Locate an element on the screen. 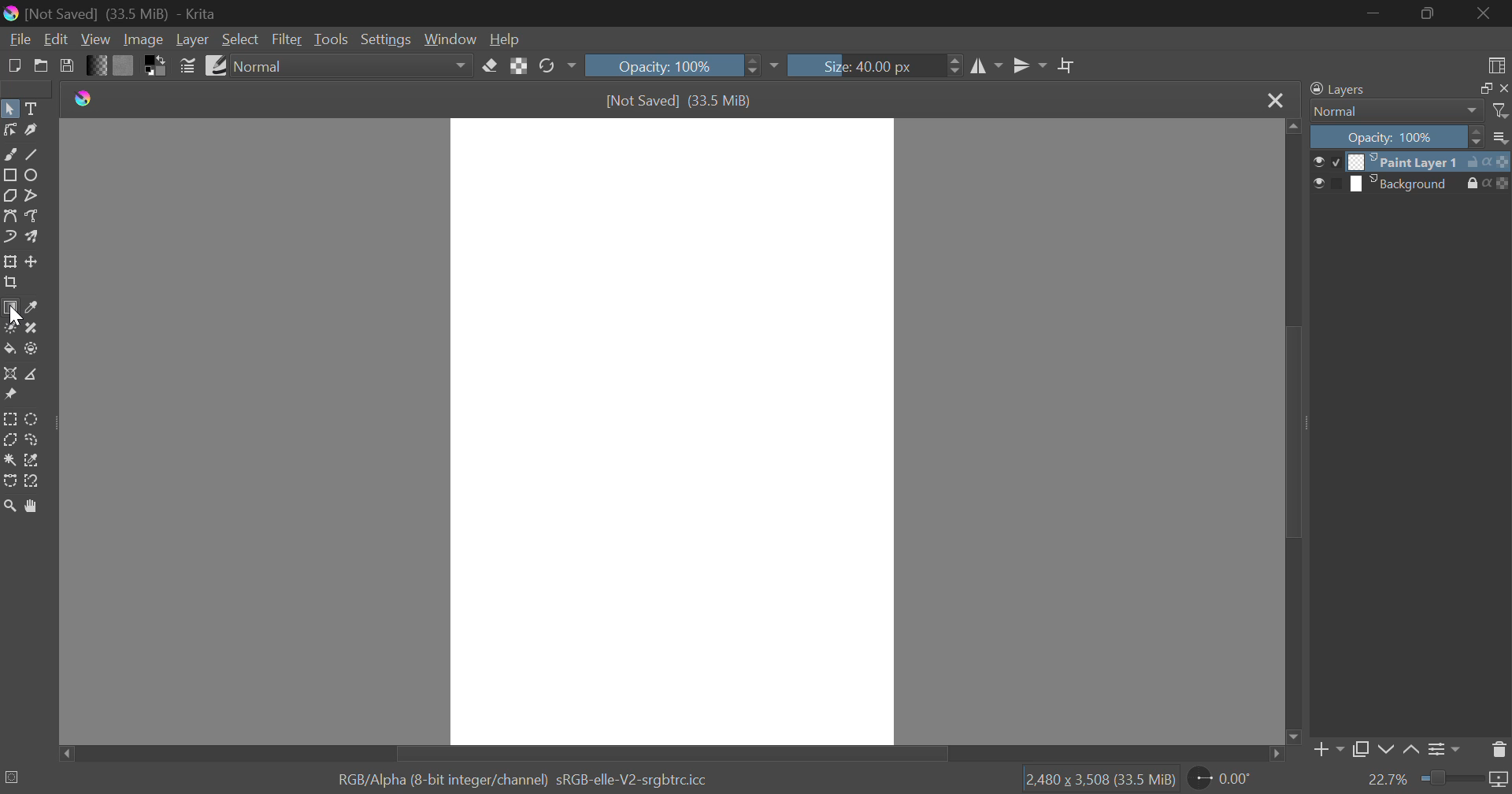 Image resolution: width=1512 pixels, height=794 pixels. Pattern is located at coordinates (124, 65).